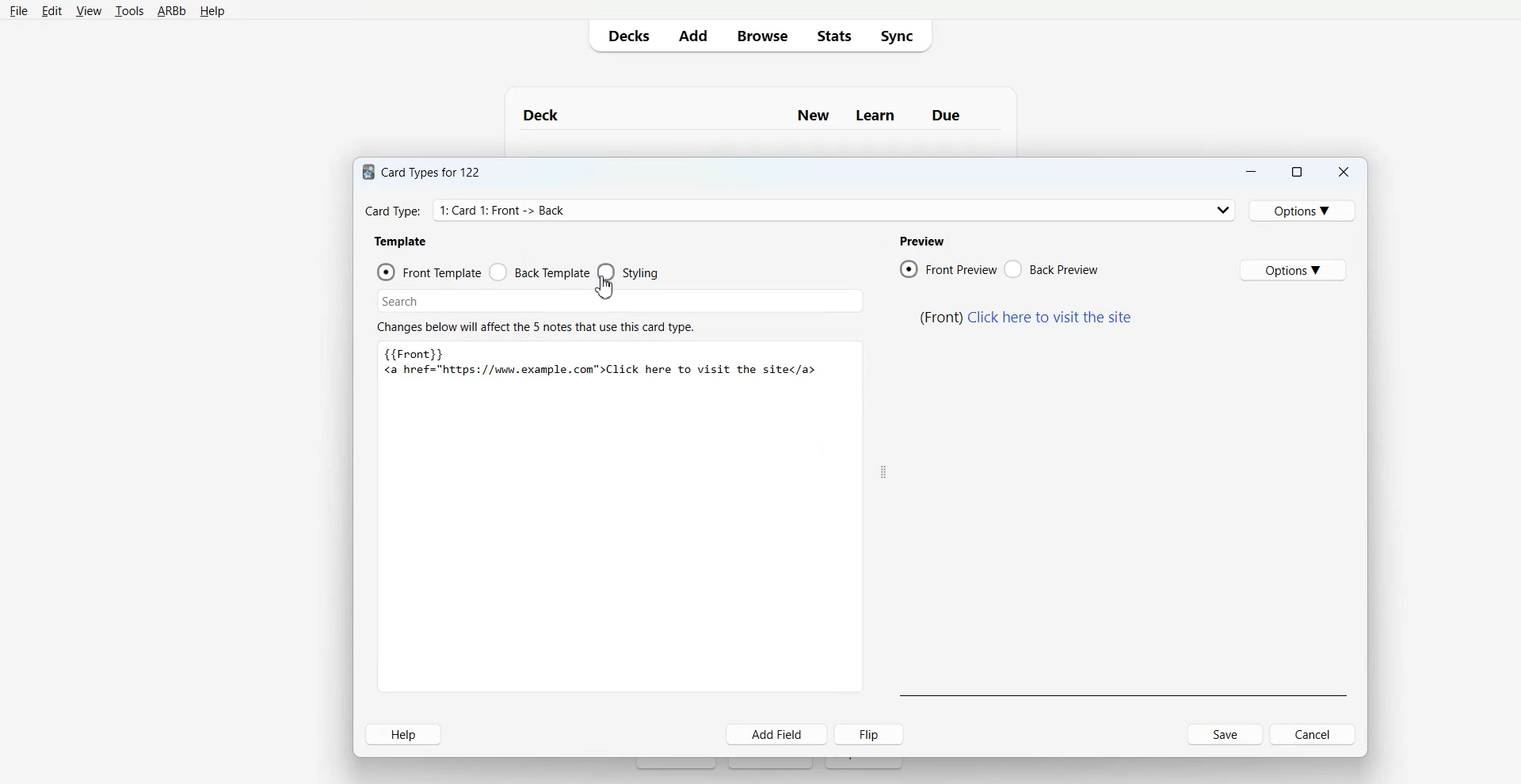 Image resolution: width=1521 pixels, height=784 pixels. Describe the element at coordinates (948, 268) in the screenshot. I see `Front Preview` at that location.